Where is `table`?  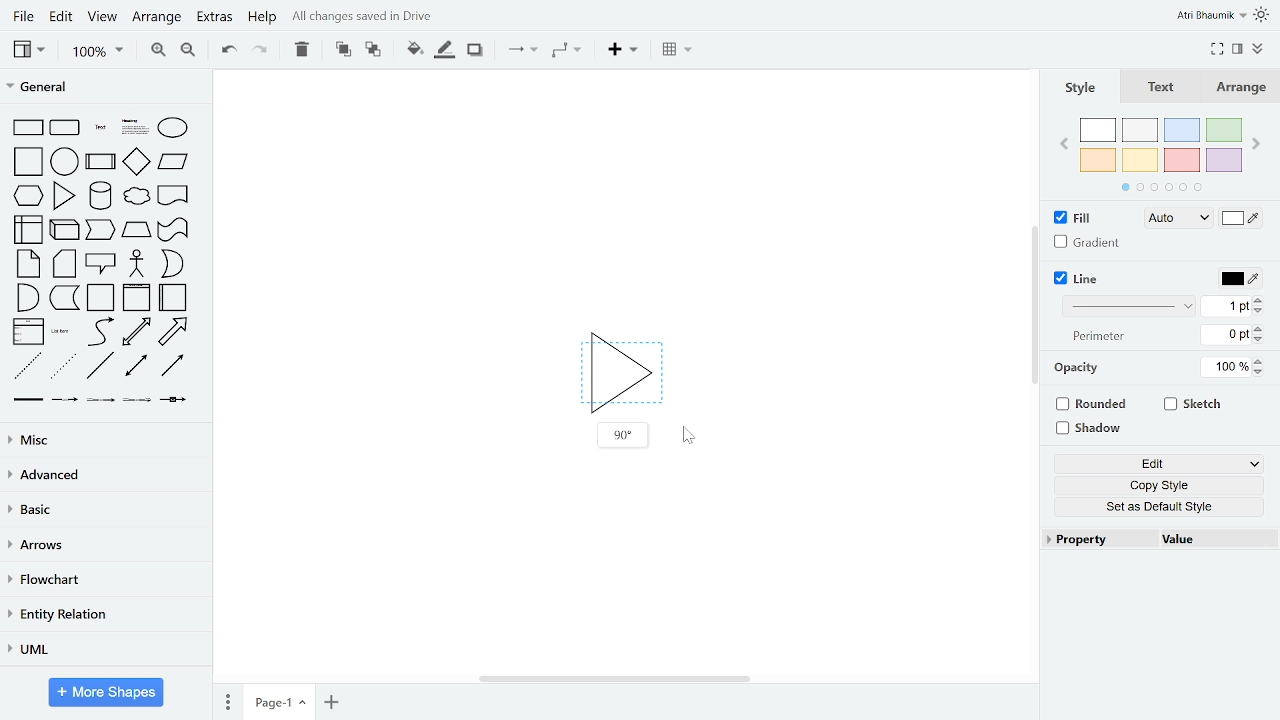
table is located at coordinates (678, 51).